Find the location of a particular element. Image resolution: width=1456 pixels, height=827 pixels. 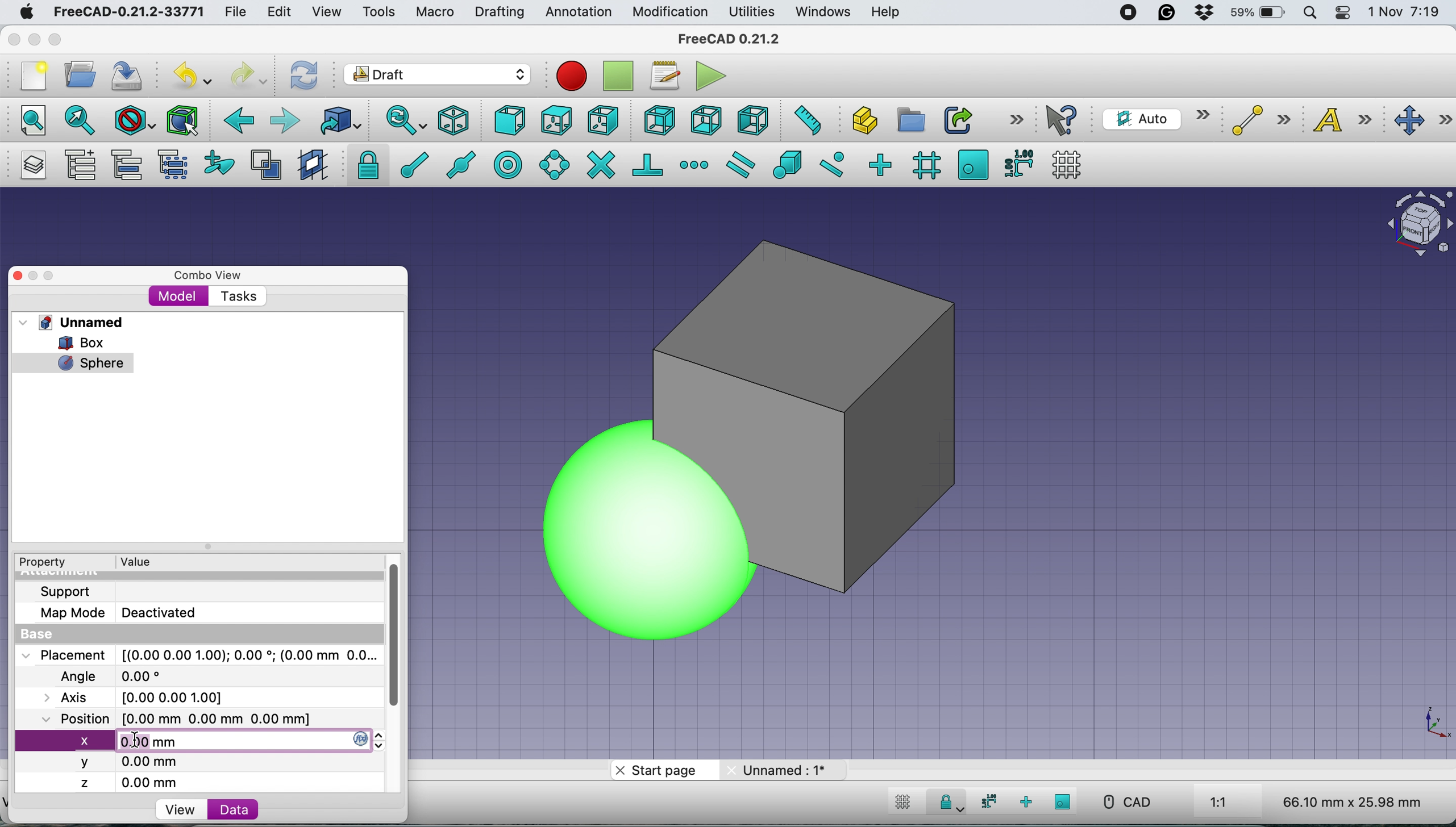

windows is located at coordinates (825, 12).